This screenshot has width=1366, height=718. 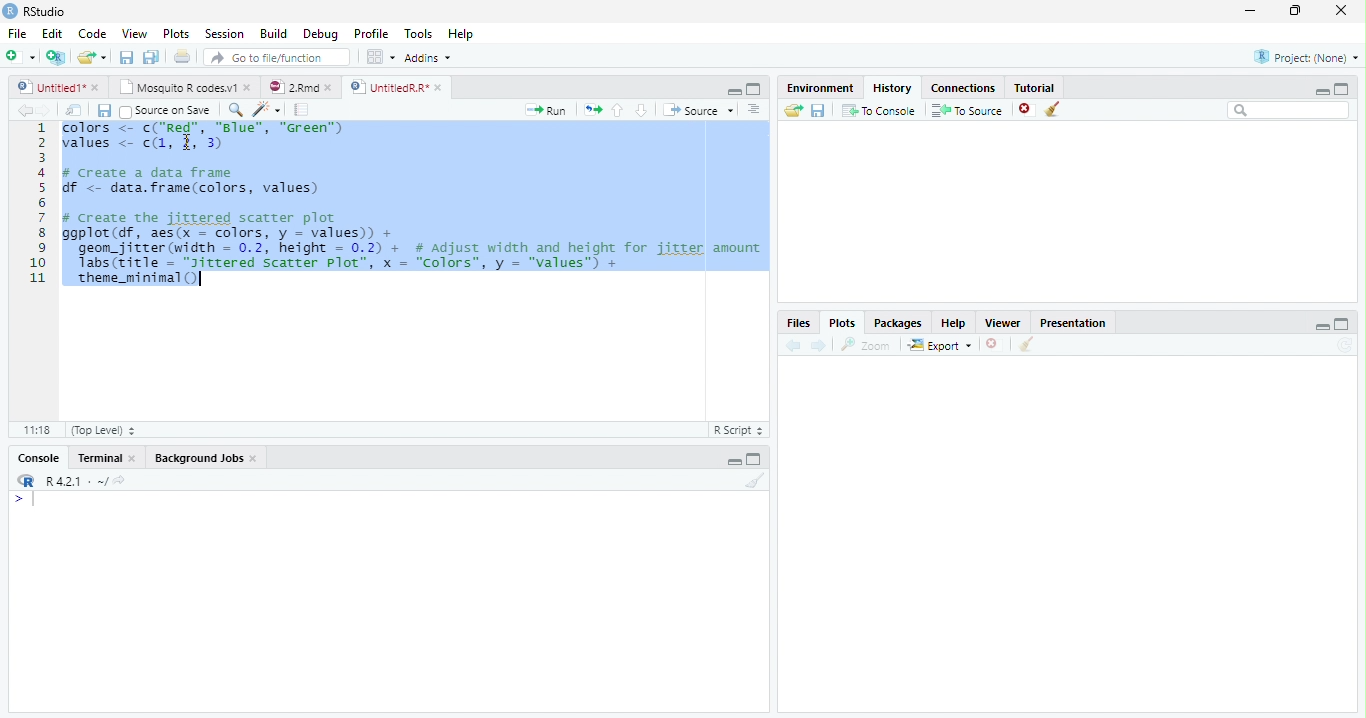 I want to click on Source, so click(x=698, y=110).